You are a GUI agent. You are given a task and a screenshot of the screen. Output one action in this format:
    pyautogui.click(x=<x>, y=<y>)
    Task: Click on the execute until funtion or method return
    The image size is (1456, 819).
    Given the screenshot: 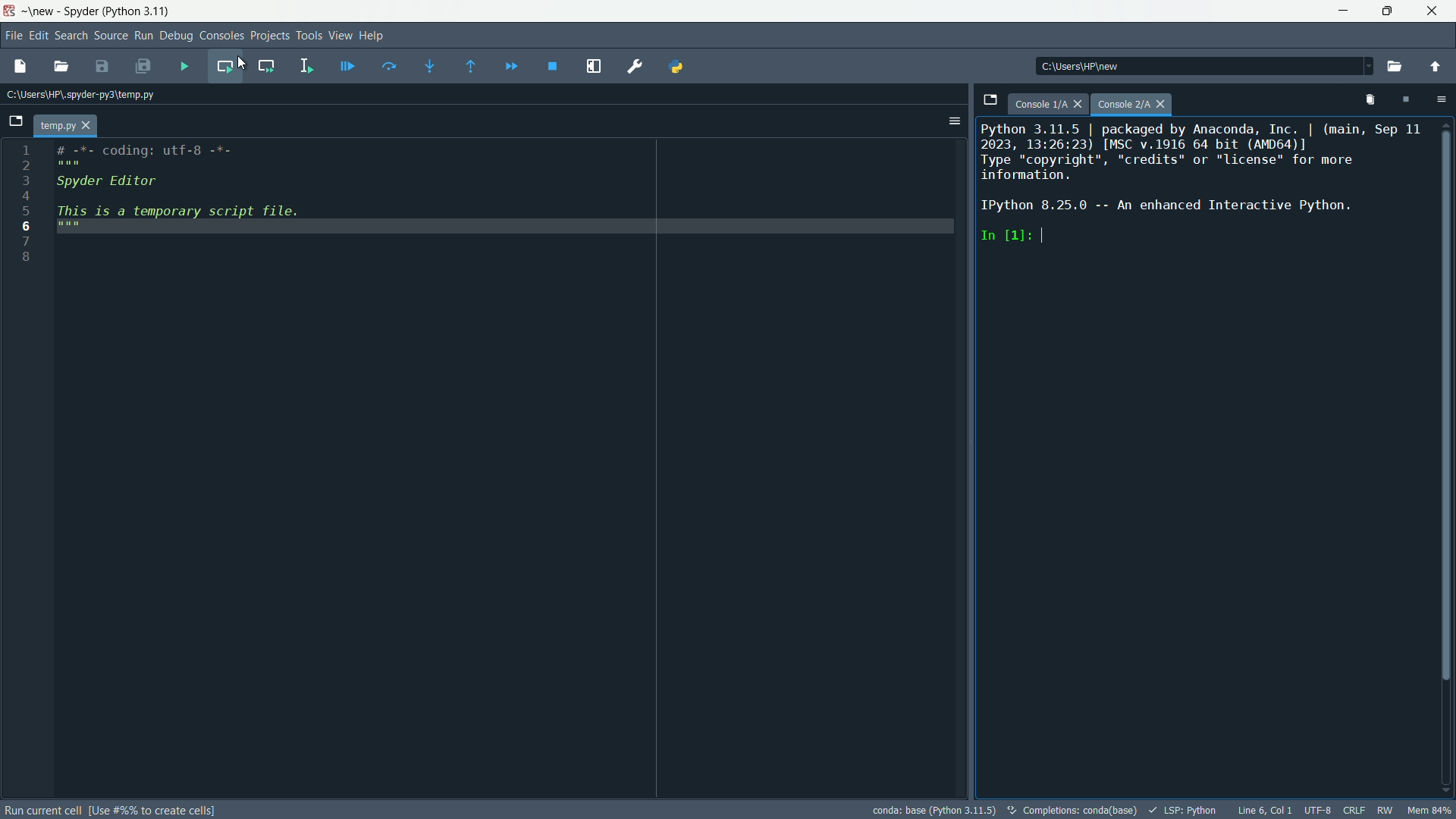 What is the action you would take?
    pyautogui.click(x=470, y=66)
    